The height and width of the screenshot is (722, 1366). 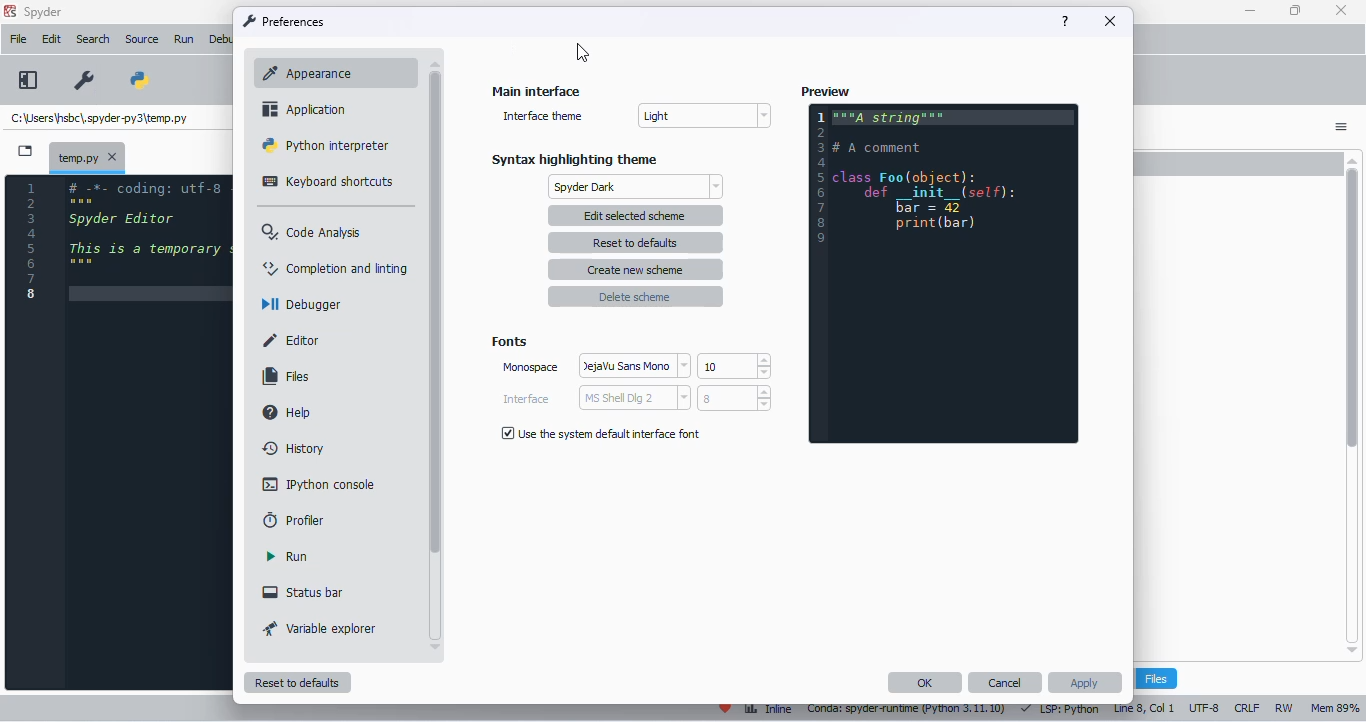 I want to click on line numbers, so click(x=32, y=241).